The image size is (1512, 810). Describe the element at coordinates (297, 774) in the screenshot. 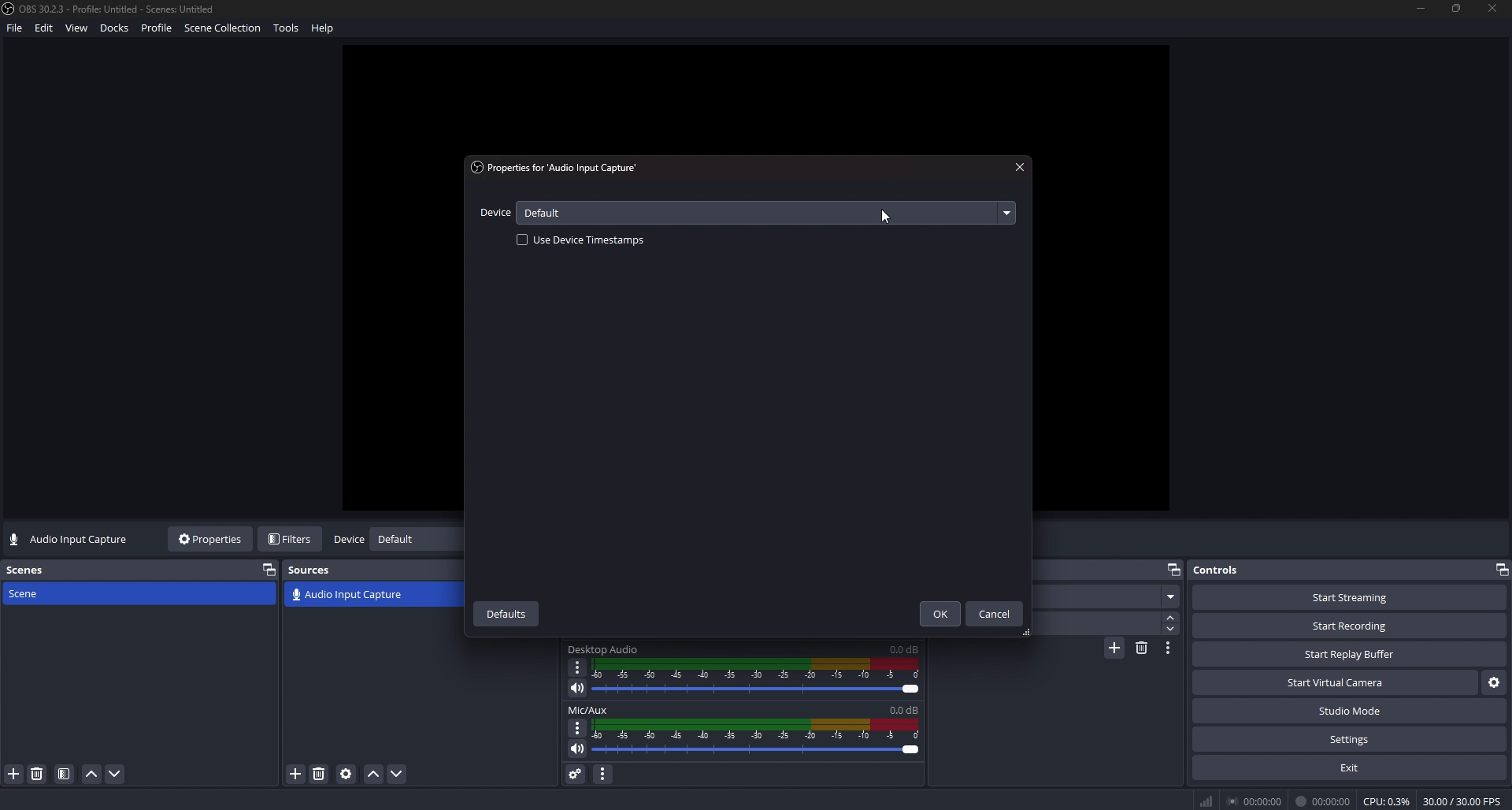

I see `add source` at that location.